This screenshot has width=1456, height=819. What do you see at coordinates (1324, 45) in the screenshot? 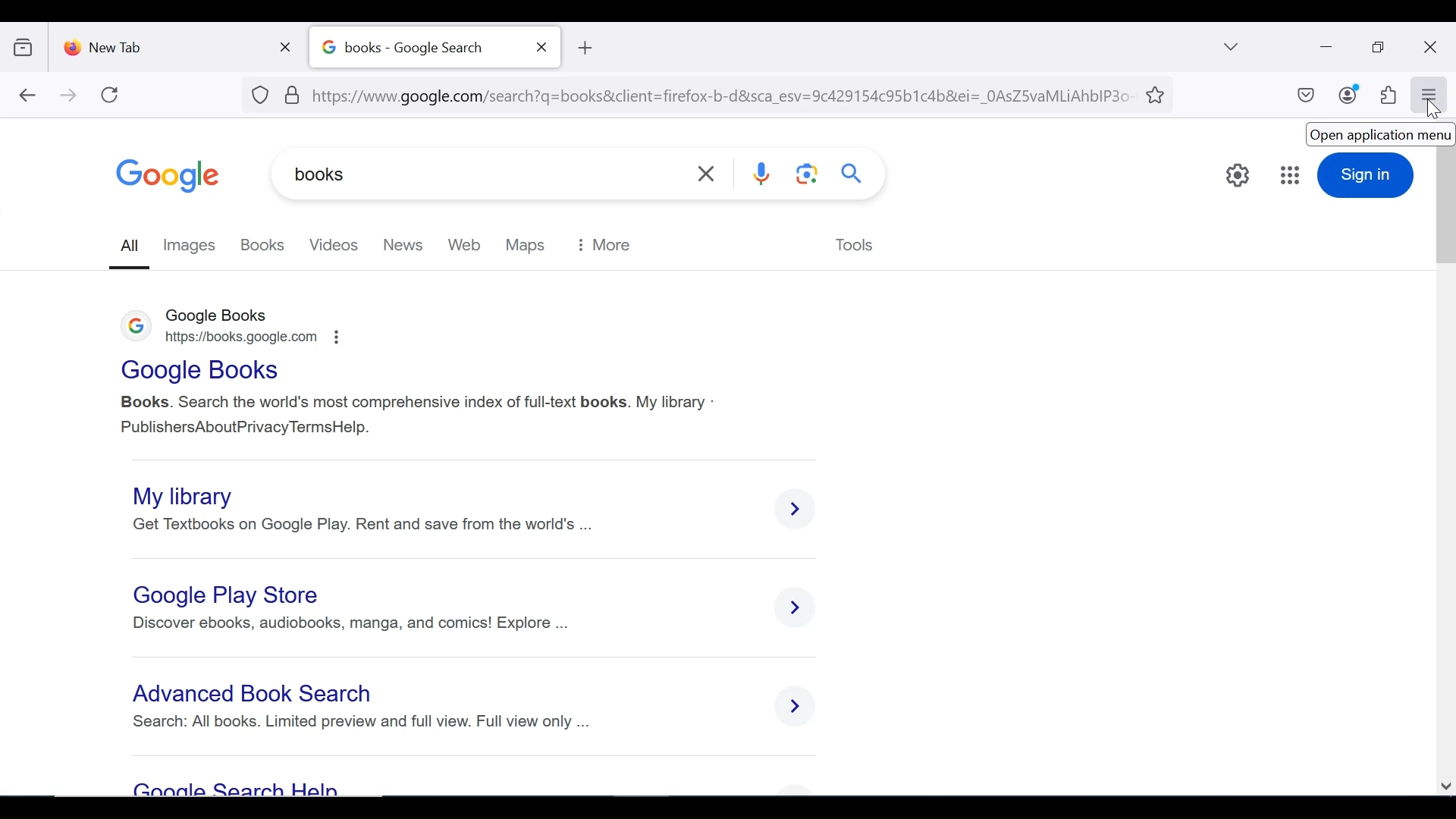
I see `minimize` at bounding box center [1324, 45].